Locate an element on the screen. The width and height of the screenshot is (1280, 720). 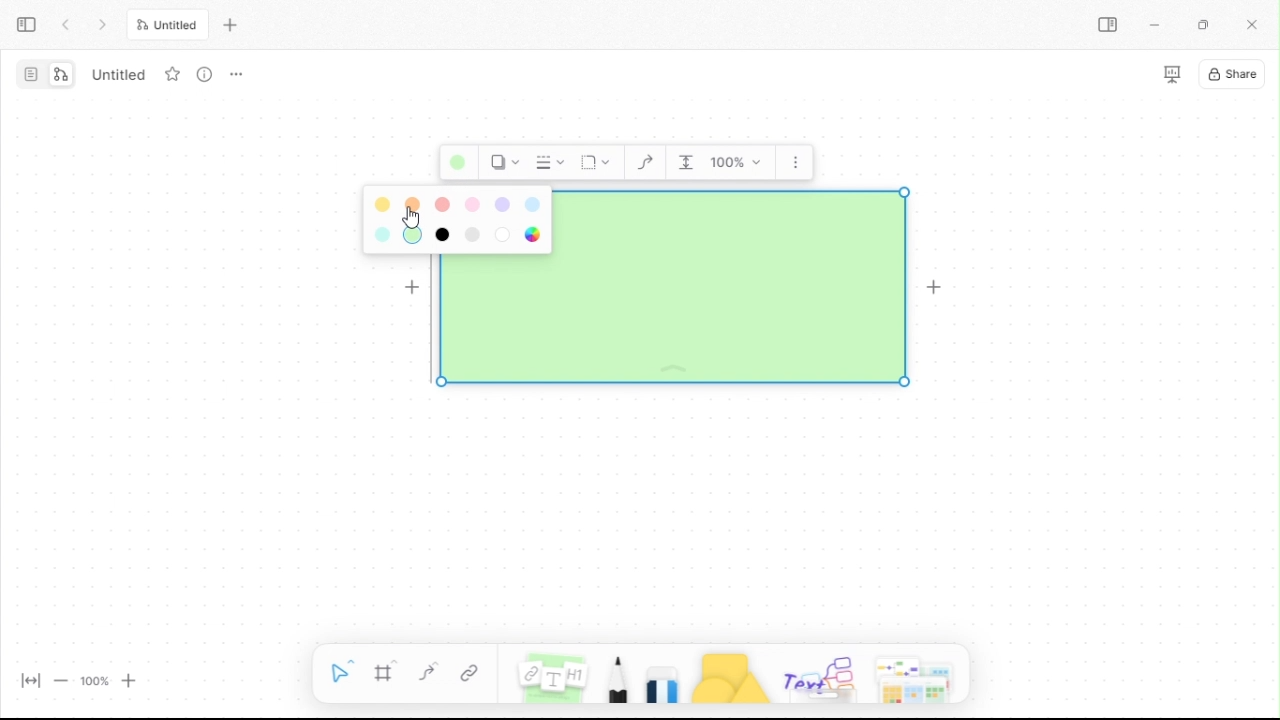
untitled is located at coordinates (117, 73).